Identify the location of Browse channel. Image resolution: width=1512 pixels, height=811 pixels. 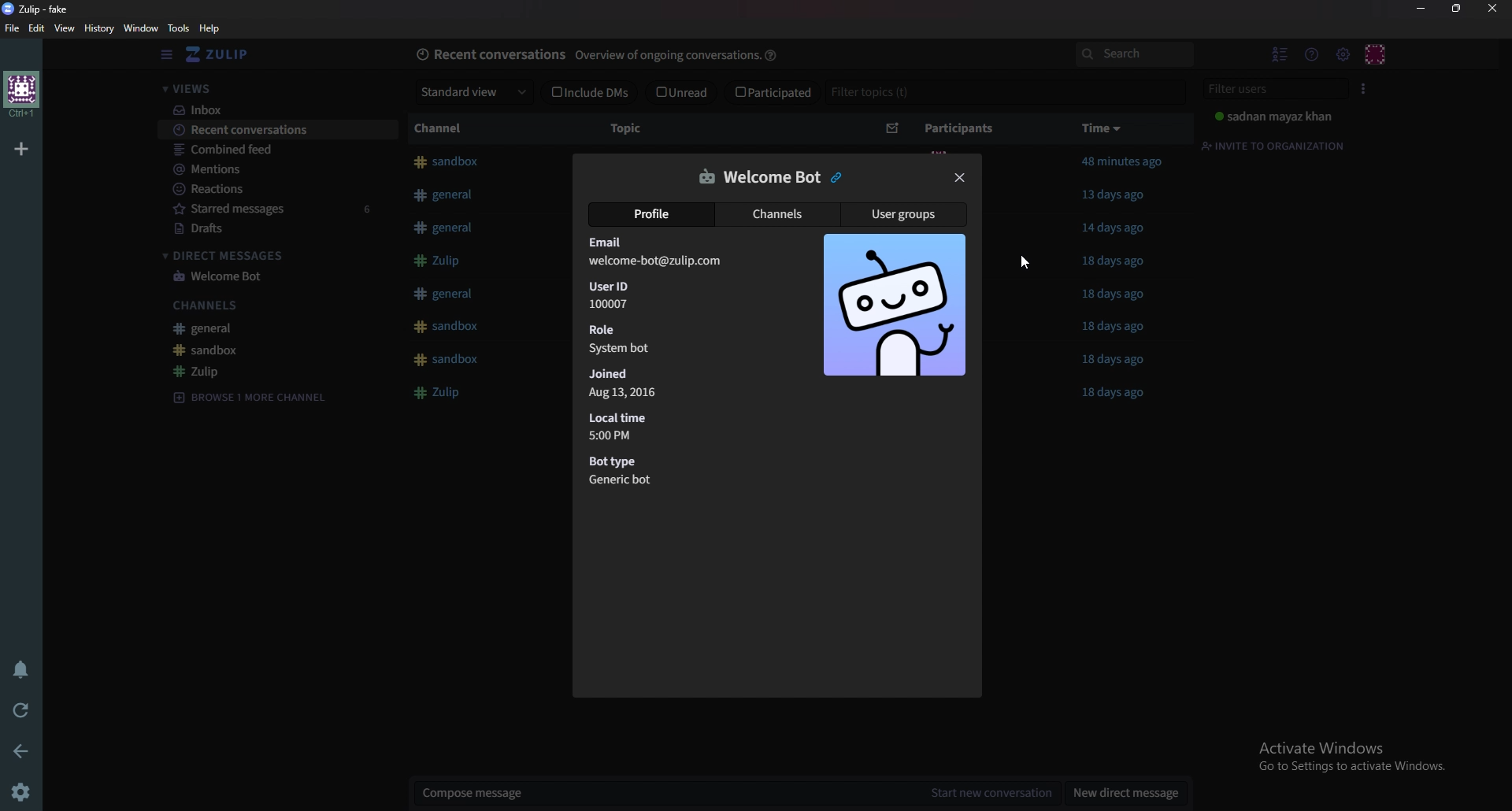
(257, 396).